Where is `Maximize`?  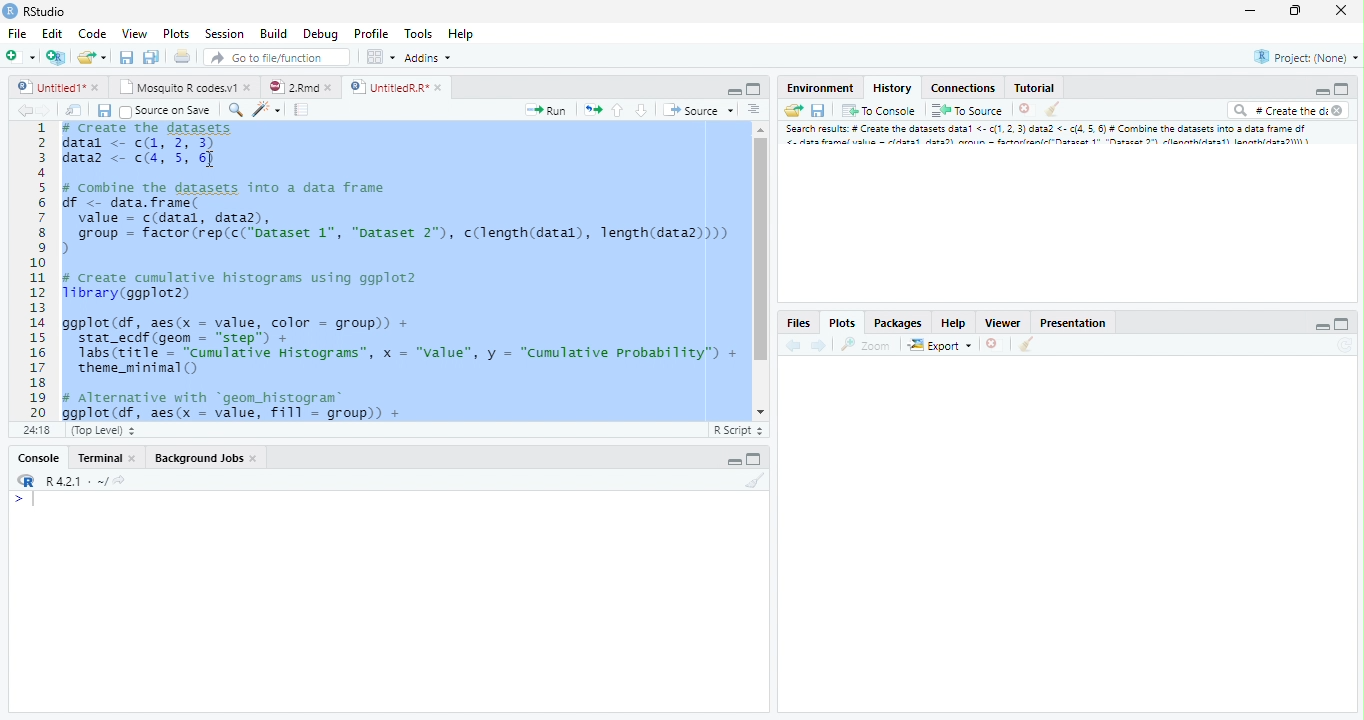
Maximize is located at coordinates (754, 88).